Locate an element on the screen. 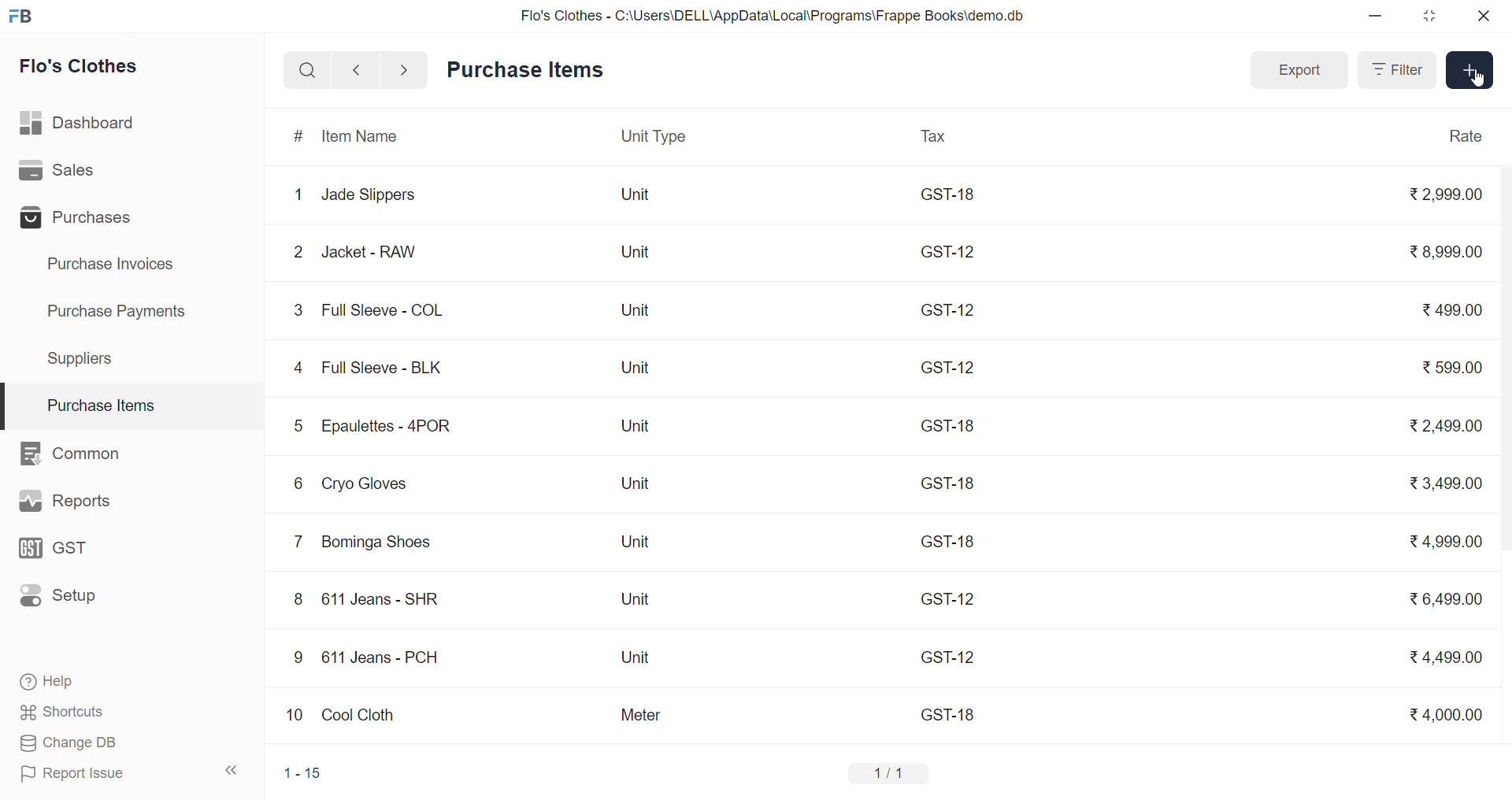 The width and height of the screenshot is (1512, 800). Export is located at coordinates (1296, 72).